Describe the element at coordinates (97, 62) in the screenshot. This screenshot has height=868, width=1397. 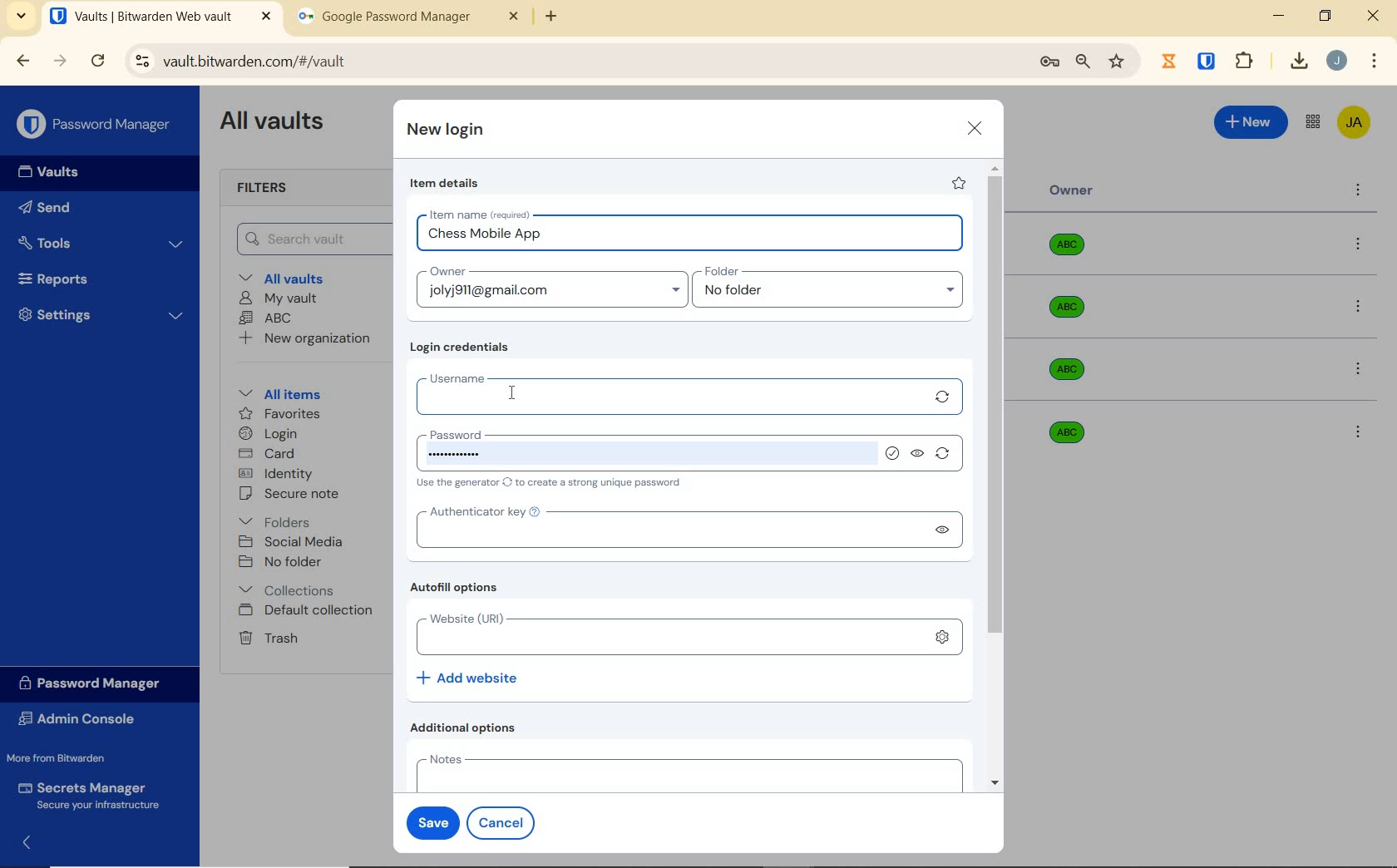
I see `reload` at that location.